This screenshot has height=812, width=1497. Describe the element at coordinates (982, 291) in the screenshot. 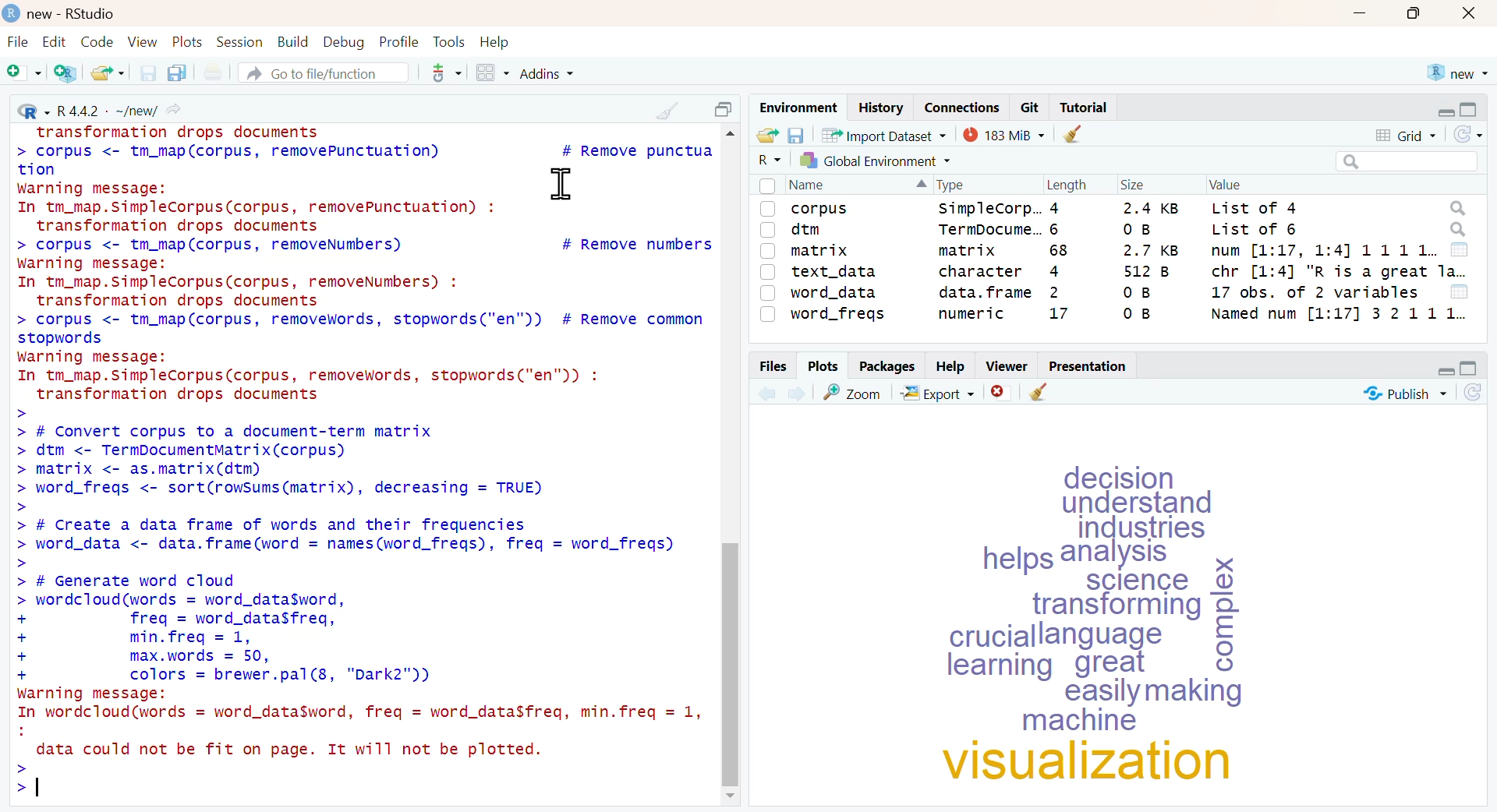

I see `data. frame` at that location.